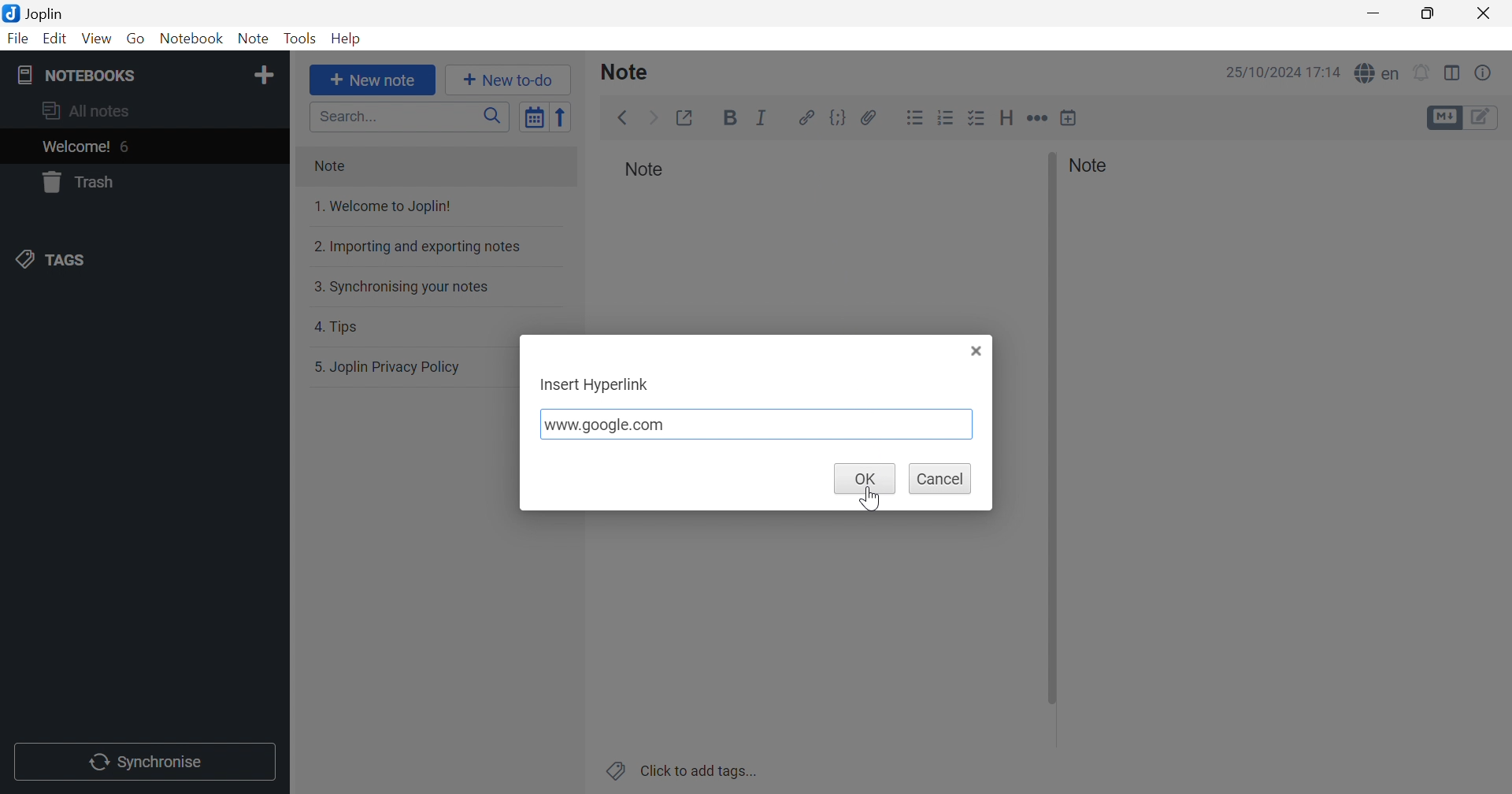  I want to click on All notes, so click(144, 113).